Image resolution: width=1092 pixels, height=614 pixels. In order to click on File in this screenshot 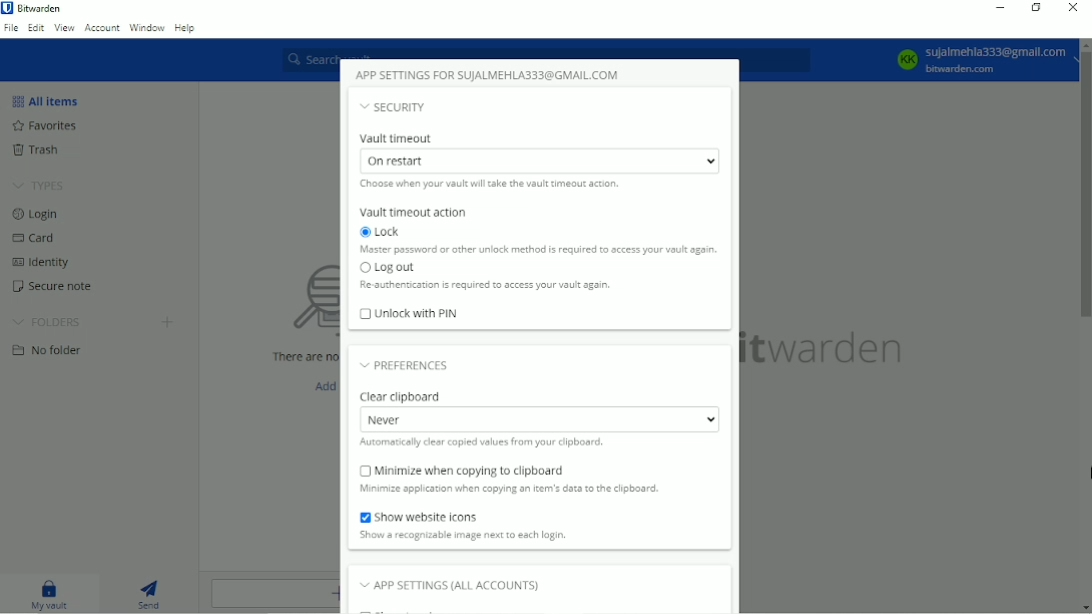, I will do `click(11, 27)`.